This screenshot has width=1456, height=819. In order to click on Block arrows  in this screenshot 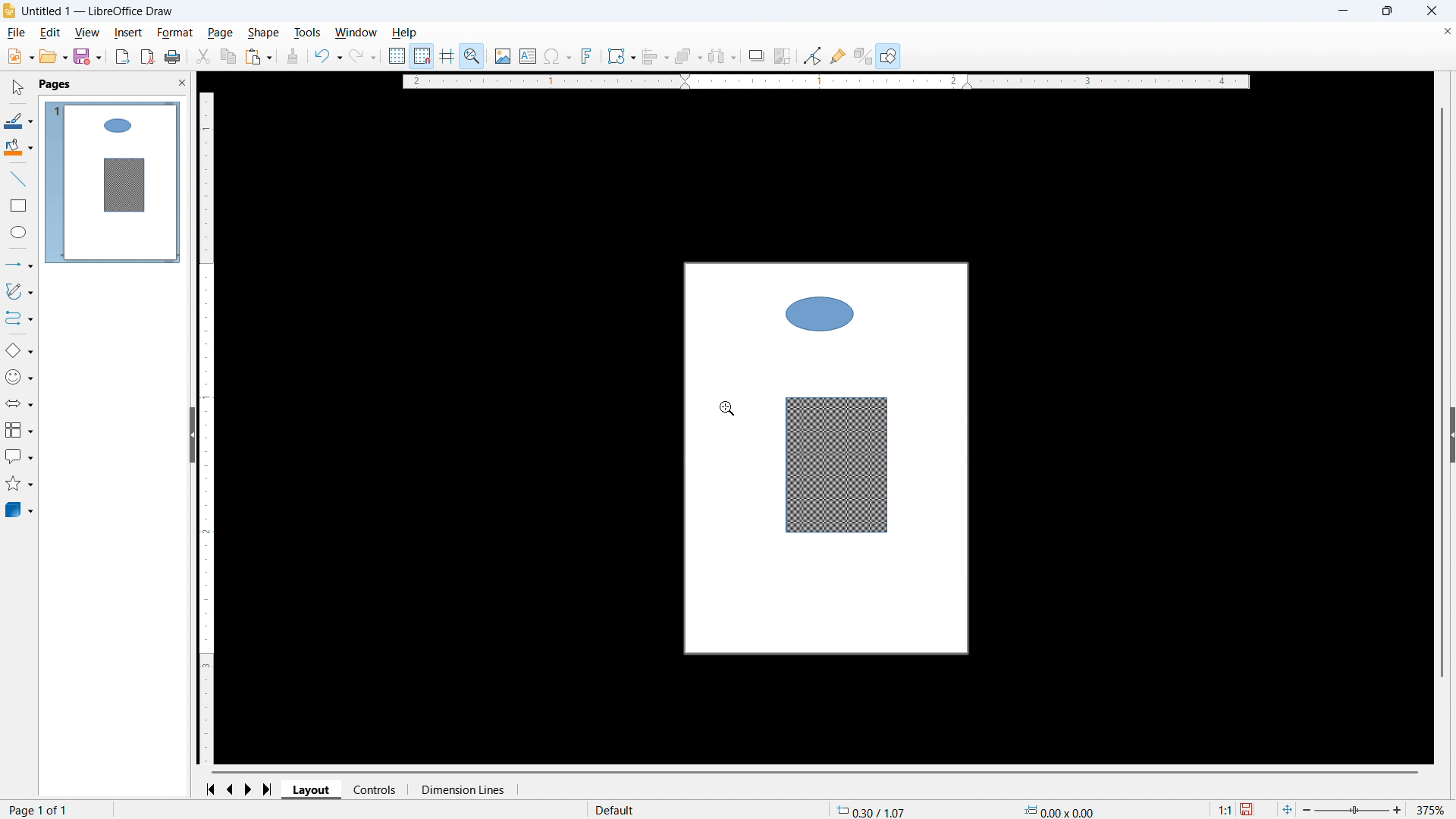, I will do `click(19, 403)`.